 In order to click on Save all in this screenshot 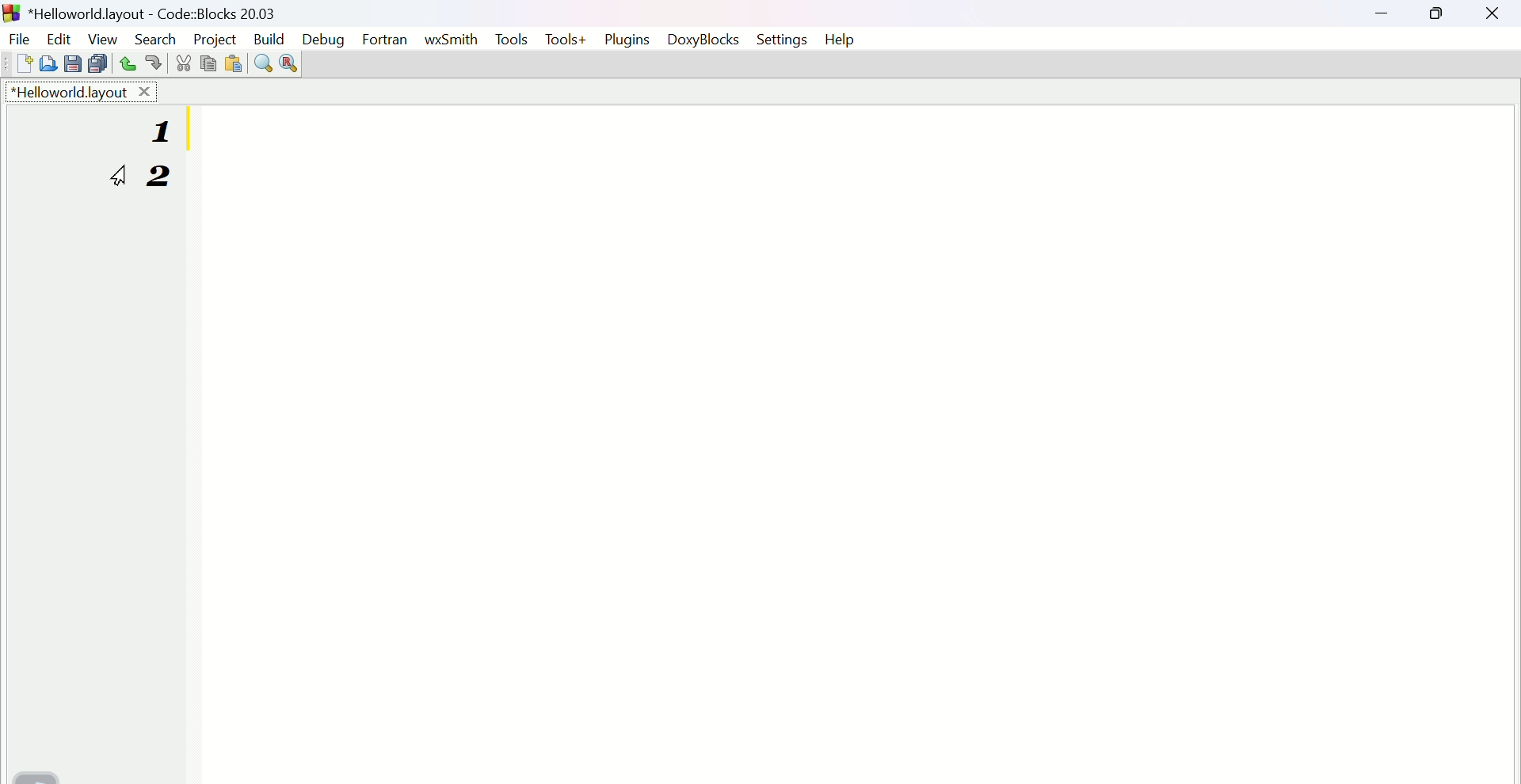, I will do `click(96, 63)`.